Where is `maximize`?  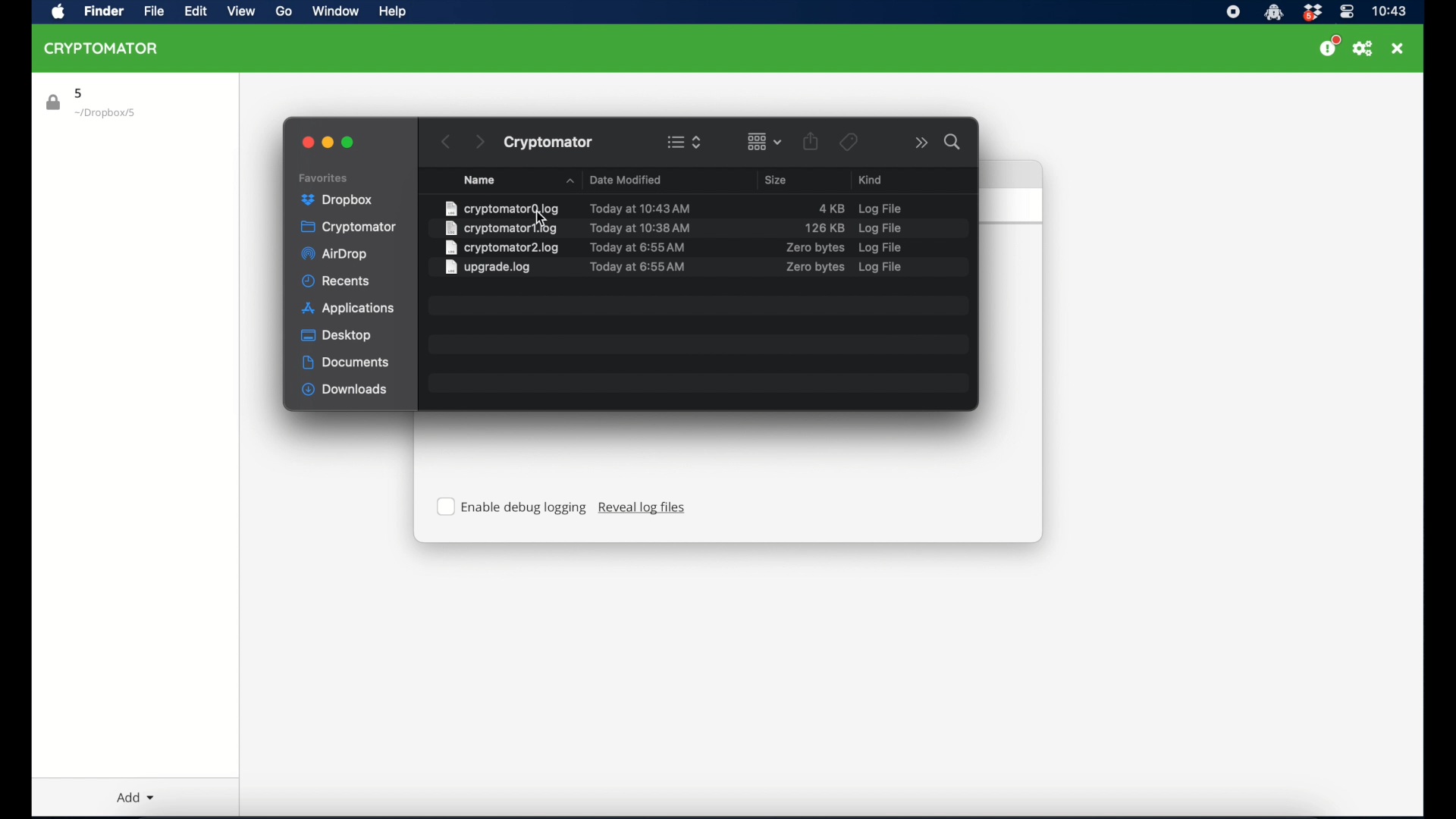 maximize is located at coordinates (348, 143).